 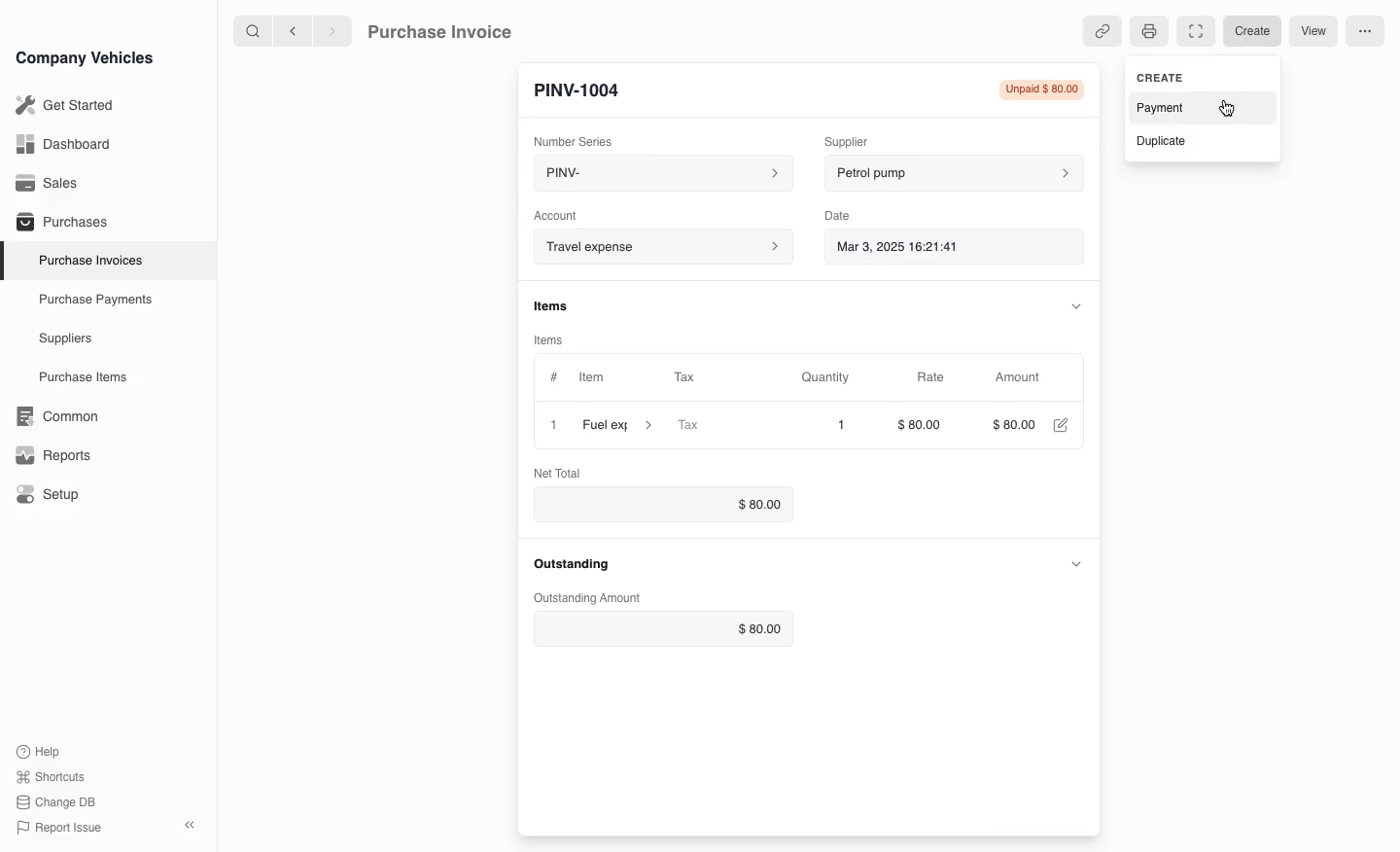 I want to click on Tax , so click(x=716, y=427).